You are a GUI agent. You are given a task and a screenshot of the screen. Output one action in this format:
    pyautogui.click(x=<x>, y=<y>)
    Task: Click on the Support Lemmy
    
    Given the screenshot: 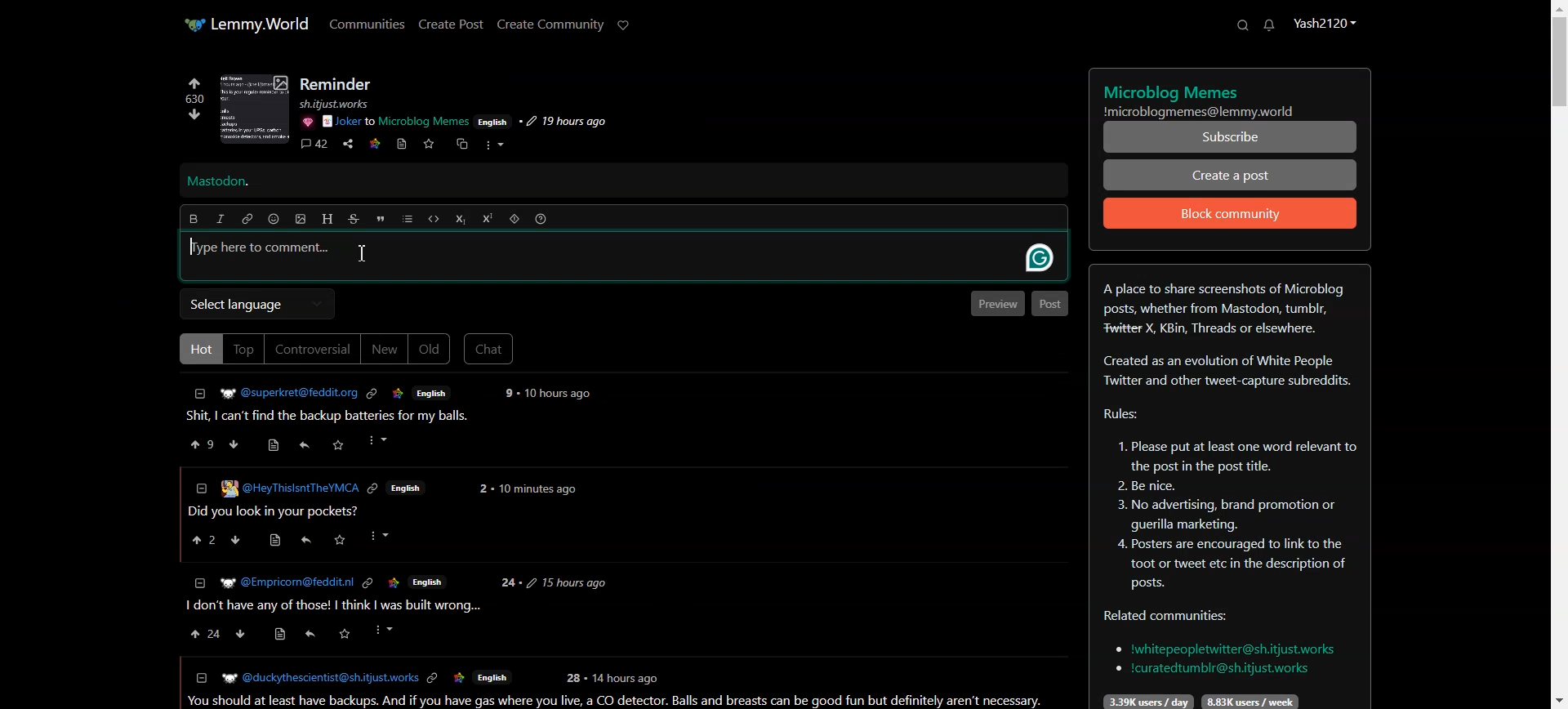 What is the action you would take?
    pyautogui.click(x=624, y=25)
    